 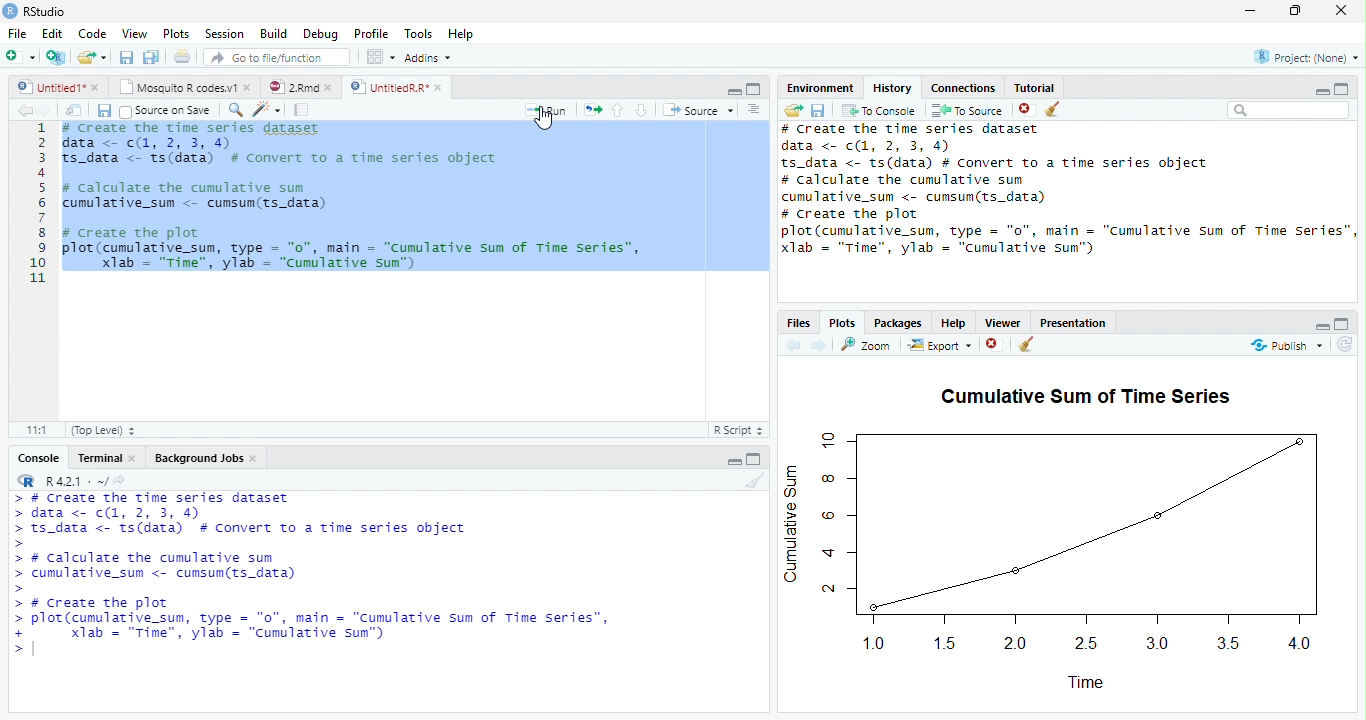 I want to click on Load Workspace, so click(x=796, y=114).